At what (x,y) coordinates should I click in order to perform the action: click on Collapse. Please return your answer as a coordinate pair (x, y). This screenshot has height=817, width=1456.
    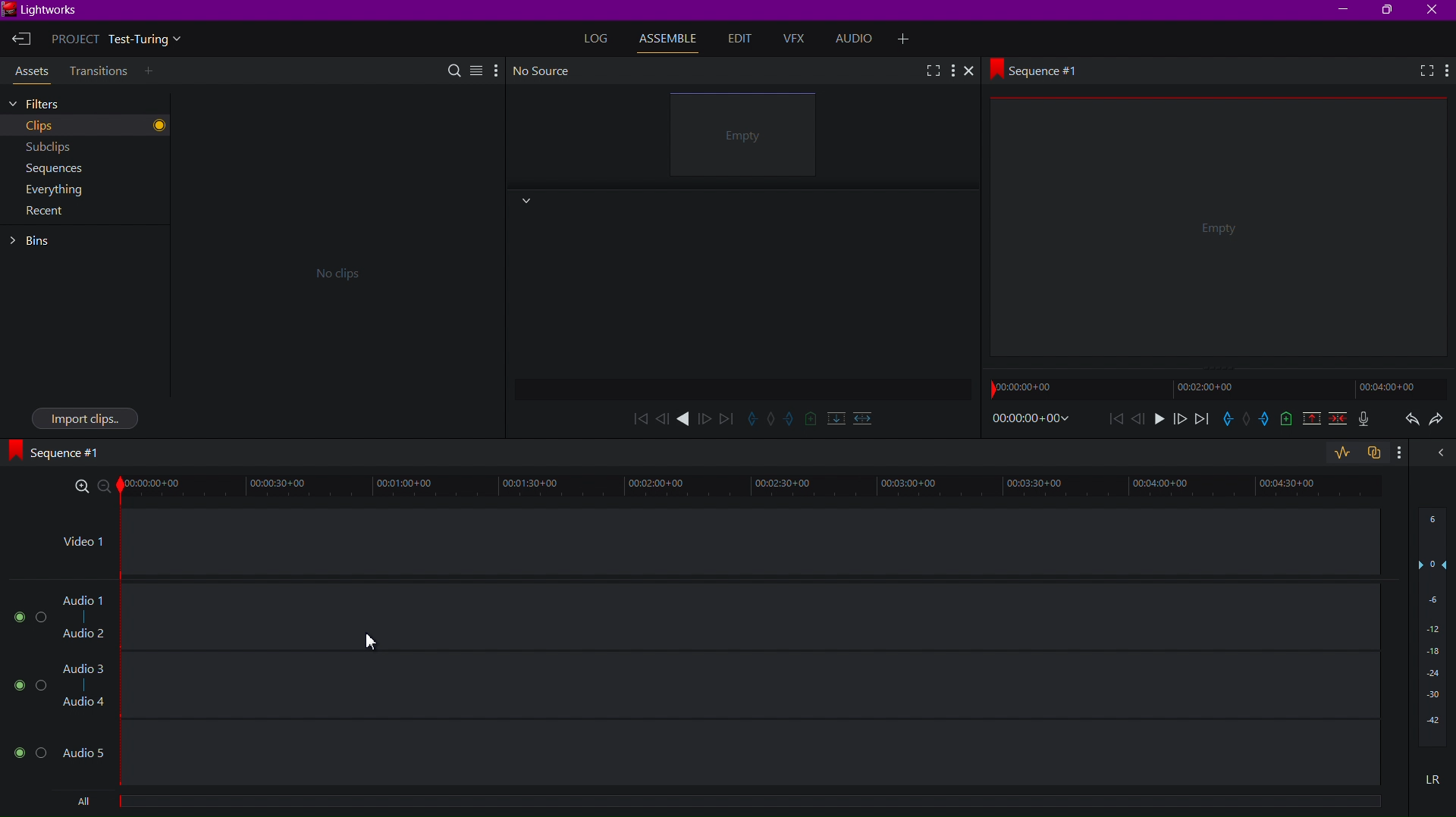
    Looking at the image, I should click on (525, 202).